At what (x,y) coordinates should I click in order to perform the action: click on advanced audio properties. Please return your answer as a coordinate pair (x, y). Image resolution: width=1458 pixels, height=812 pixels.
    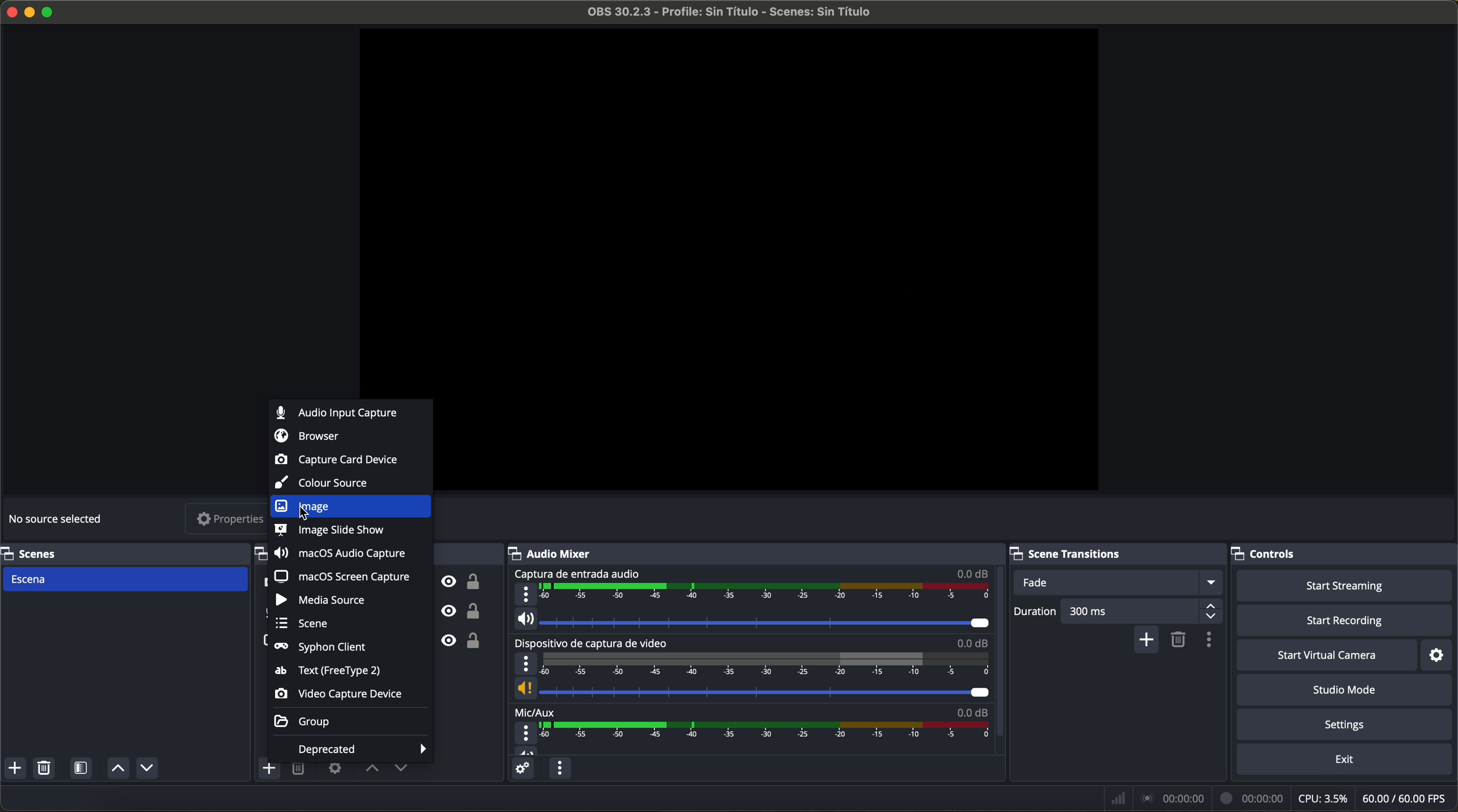
    Looking at the image, I should click on (522, 768).